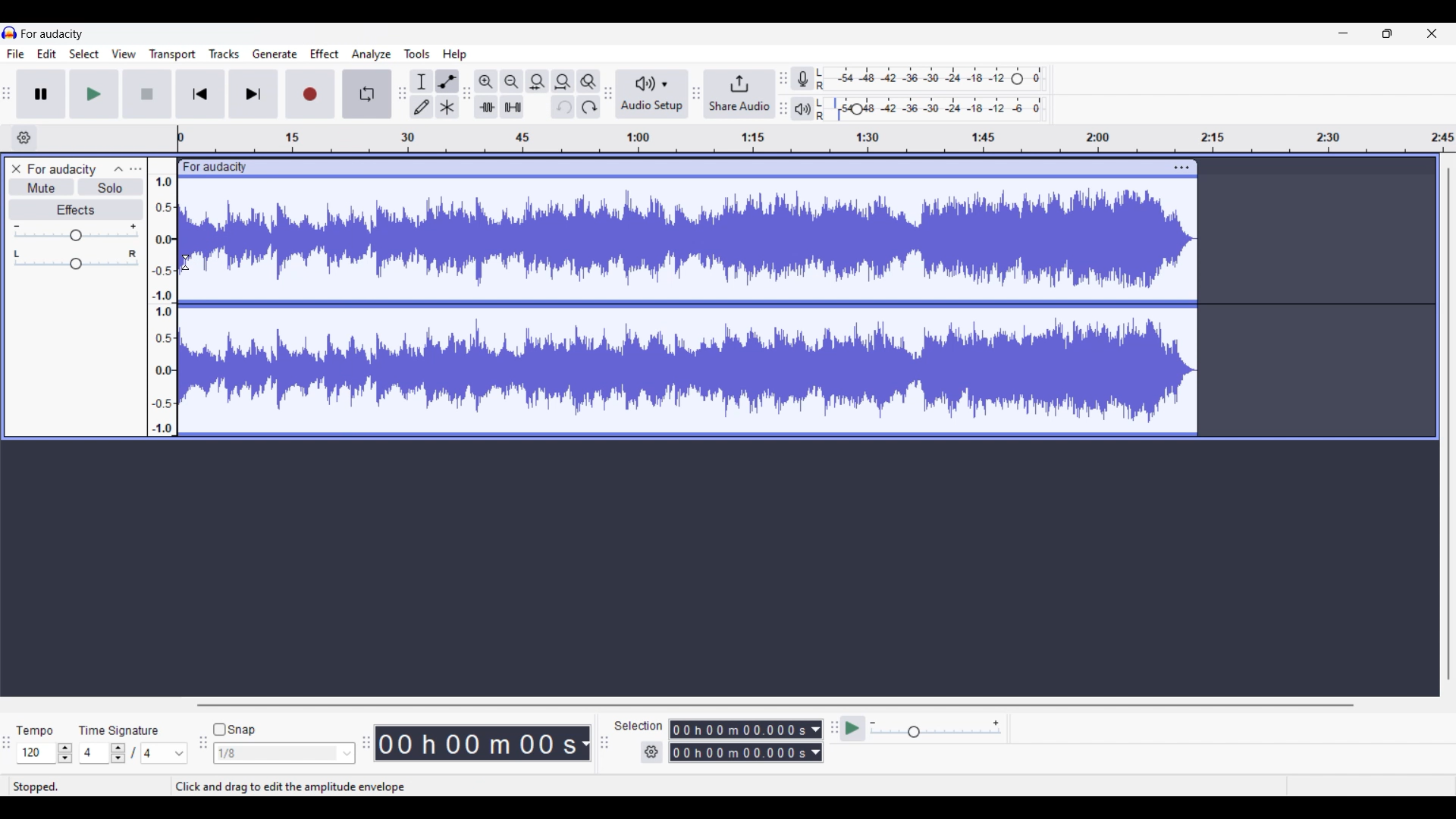 The width and height of the screenshot is (1456, 819). What do you see at coordinates (652, 752) in the screenshot?
I see `Settings` at bounding box center [652, 752].